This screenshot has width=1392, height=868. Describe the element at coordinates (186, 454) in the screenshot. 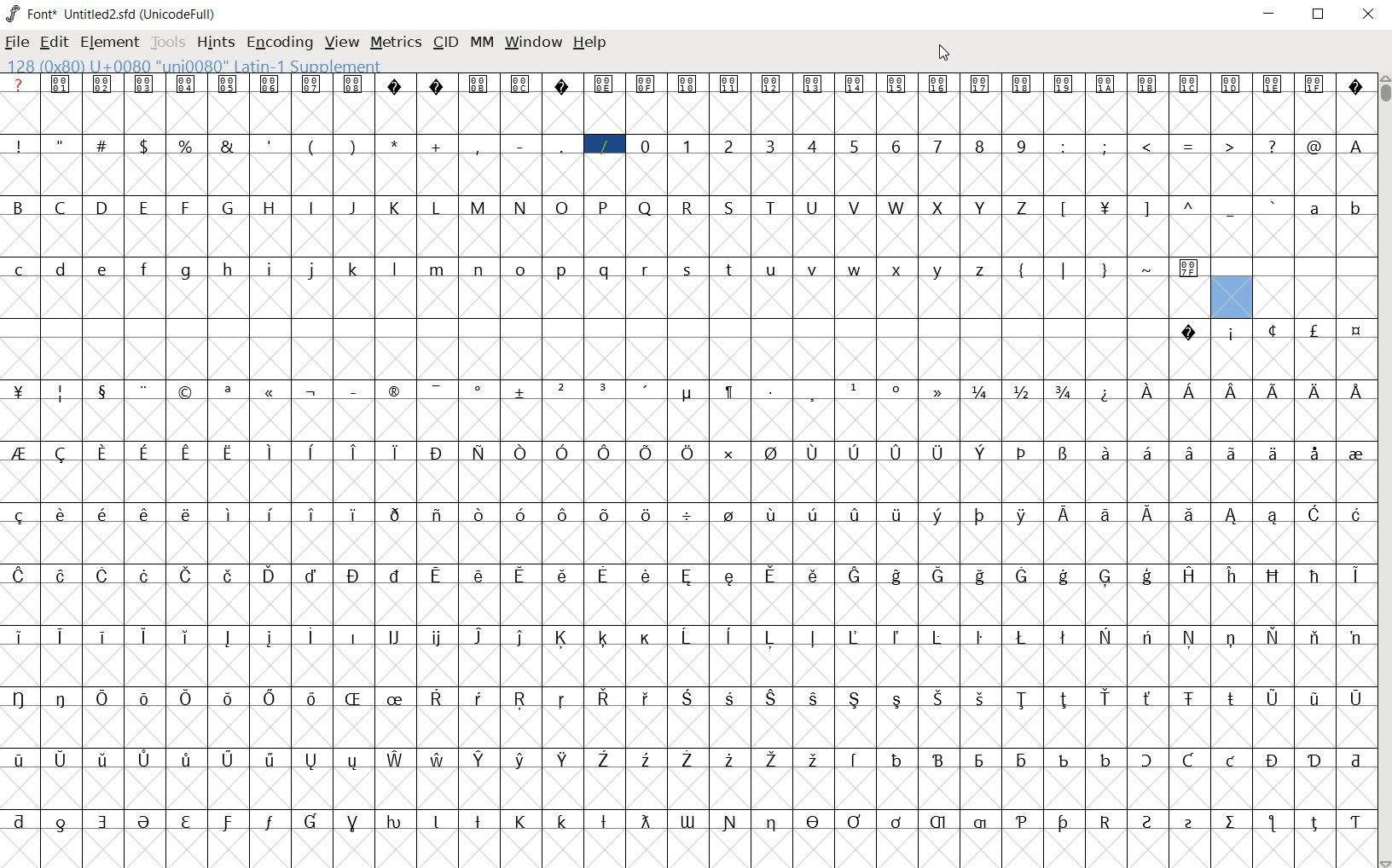

I see `glyph` at that location.